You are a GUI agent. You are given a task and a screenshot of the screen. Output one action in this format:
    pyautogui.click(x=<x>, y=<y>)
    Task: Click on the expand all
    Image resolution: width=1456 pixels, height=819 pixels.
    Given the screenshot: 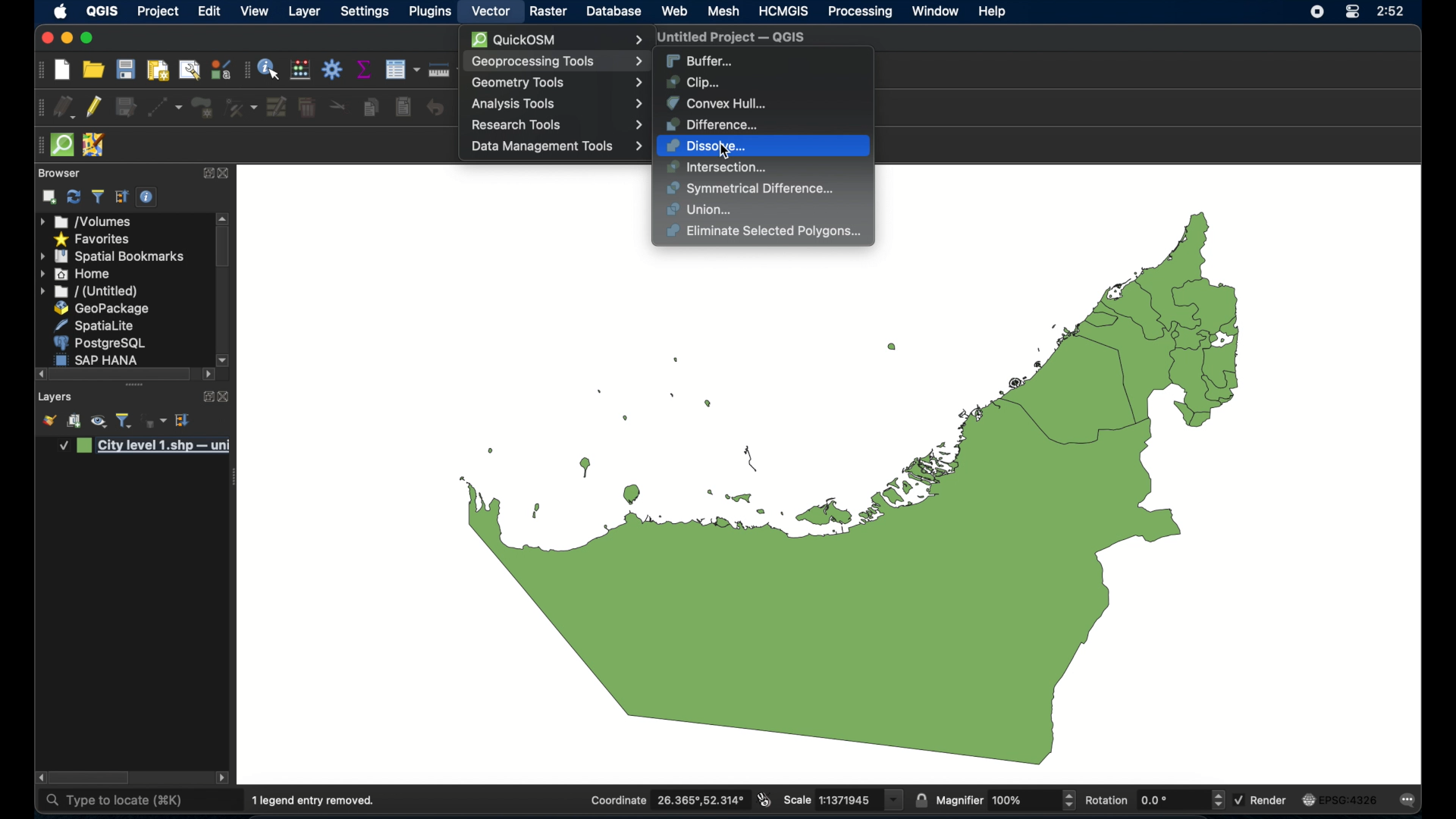 What is the action you would take?
    pyautogui.click(x=122, y=197)
    